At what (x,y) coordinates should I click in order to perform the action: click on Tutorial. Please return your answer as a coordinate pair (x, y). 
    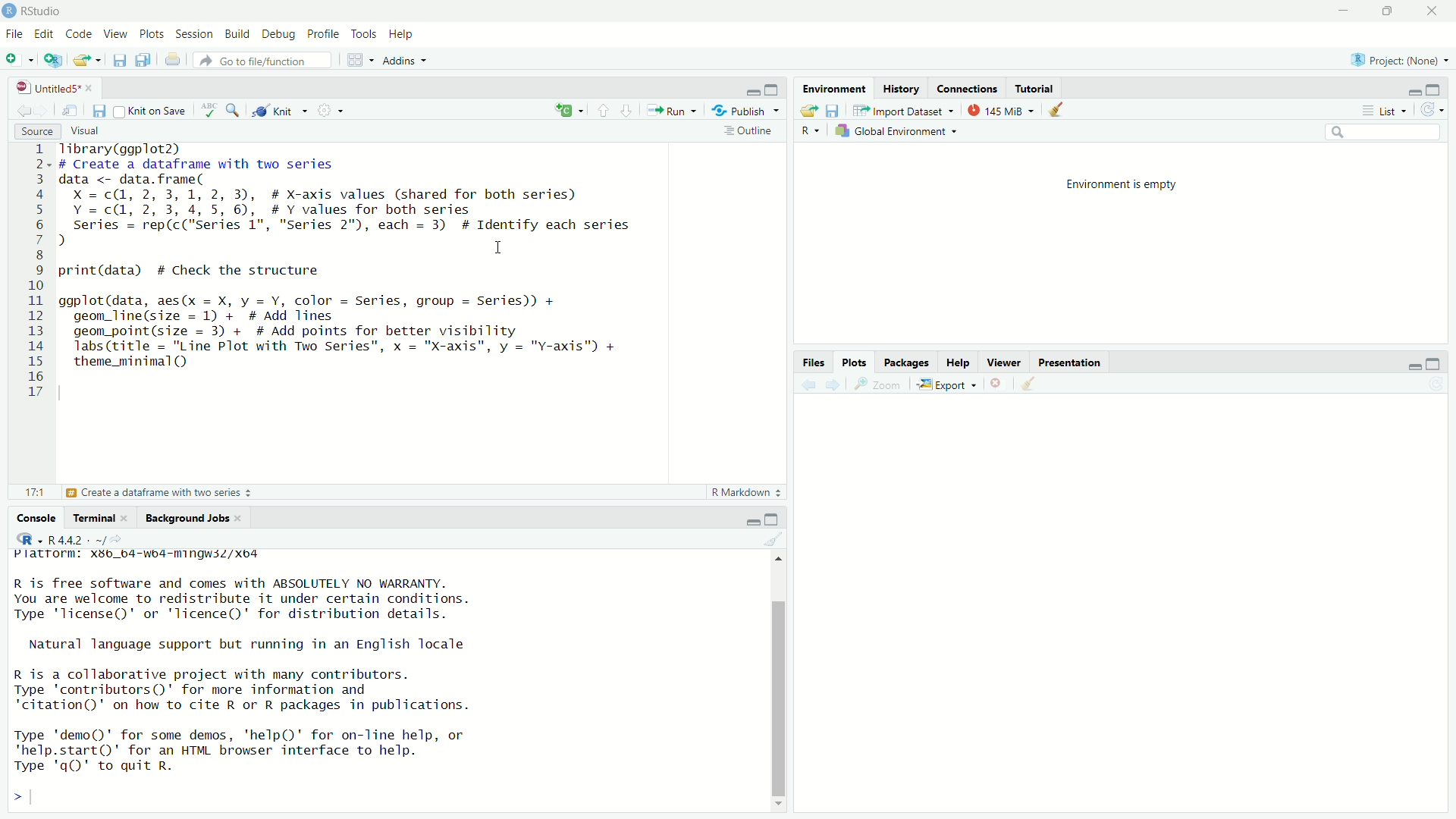
    Looking at the image, I should click on (1033, 87).